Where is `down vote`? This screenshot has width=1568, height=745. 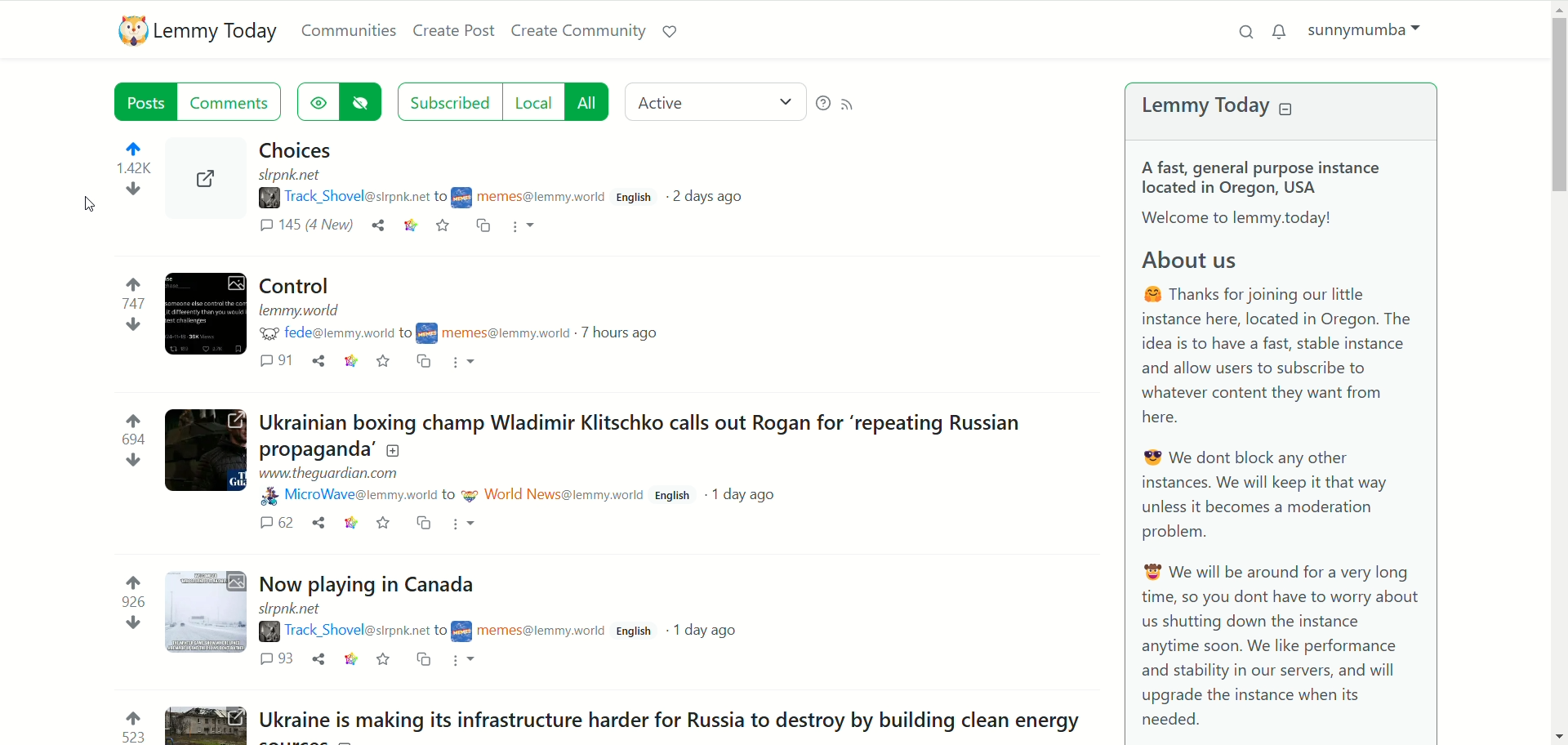
down vote is located at coordinates (134, 463).